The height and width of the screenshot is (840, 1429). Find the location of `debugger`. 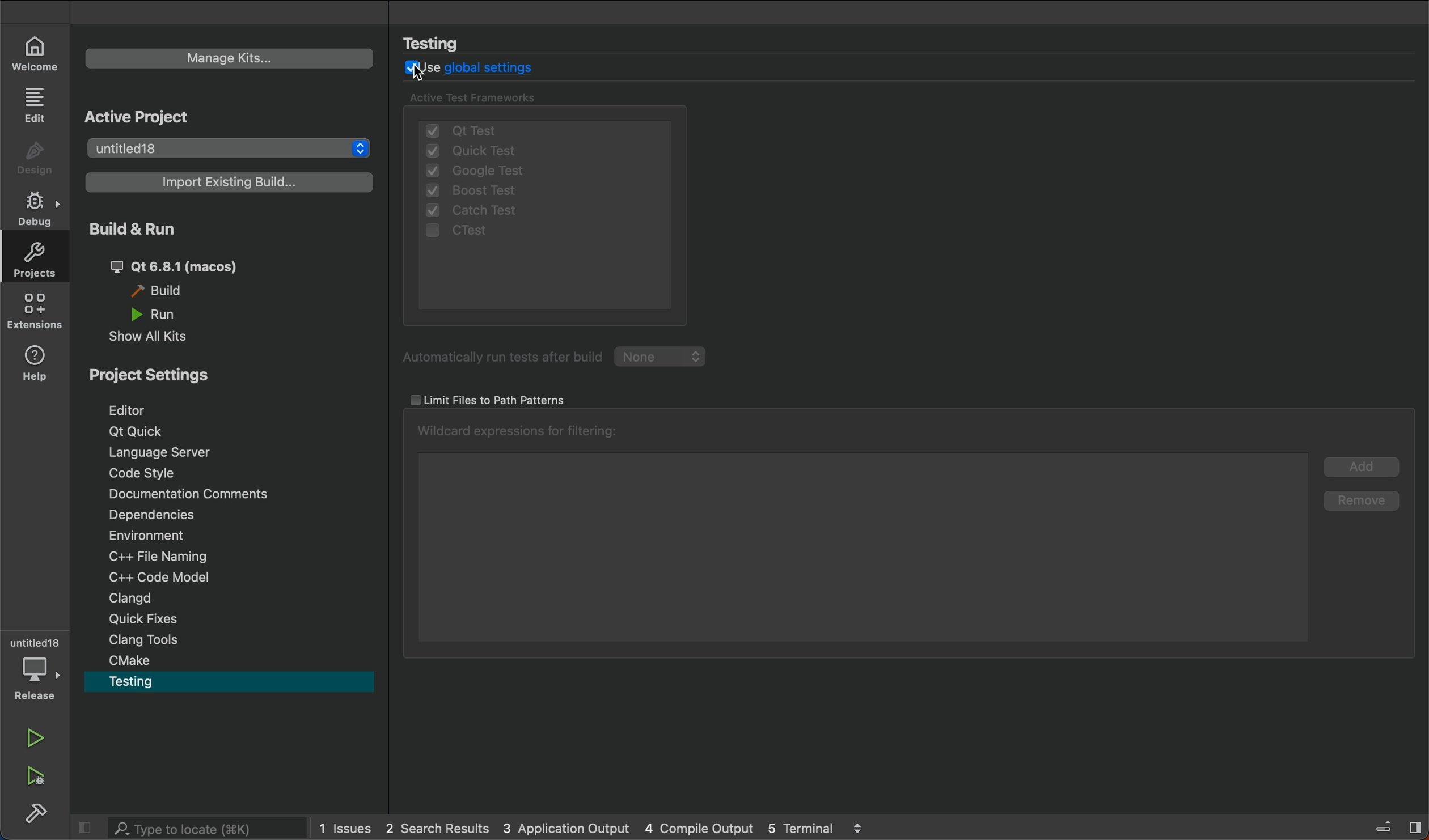

debugger is located at coordinates (37, 668).